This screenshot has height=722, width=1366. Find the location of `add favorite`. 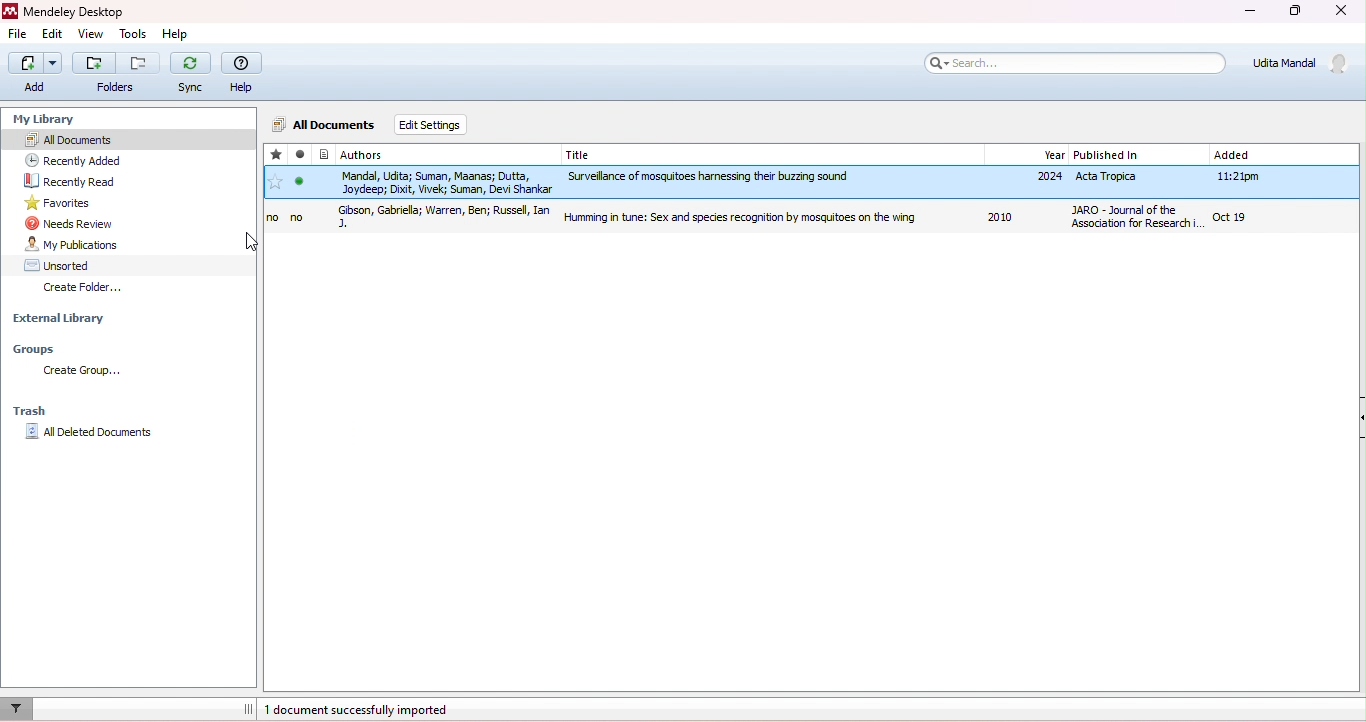

add favorite is located at coordinates (278, 183).